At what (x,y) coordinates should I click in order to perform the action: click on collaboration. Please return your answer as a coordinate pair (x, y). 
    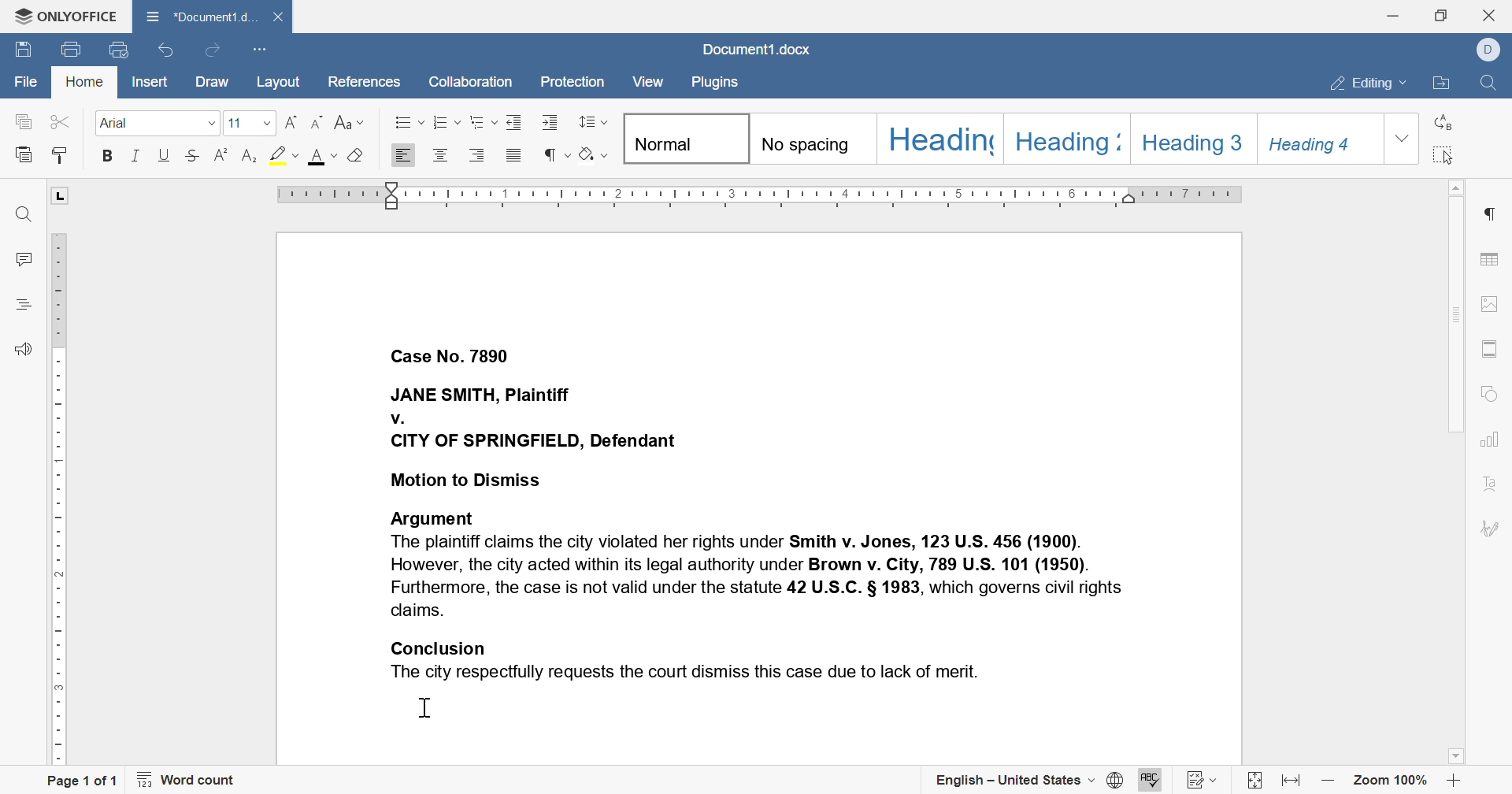
    Looking at the image, I should click on (472, 85).